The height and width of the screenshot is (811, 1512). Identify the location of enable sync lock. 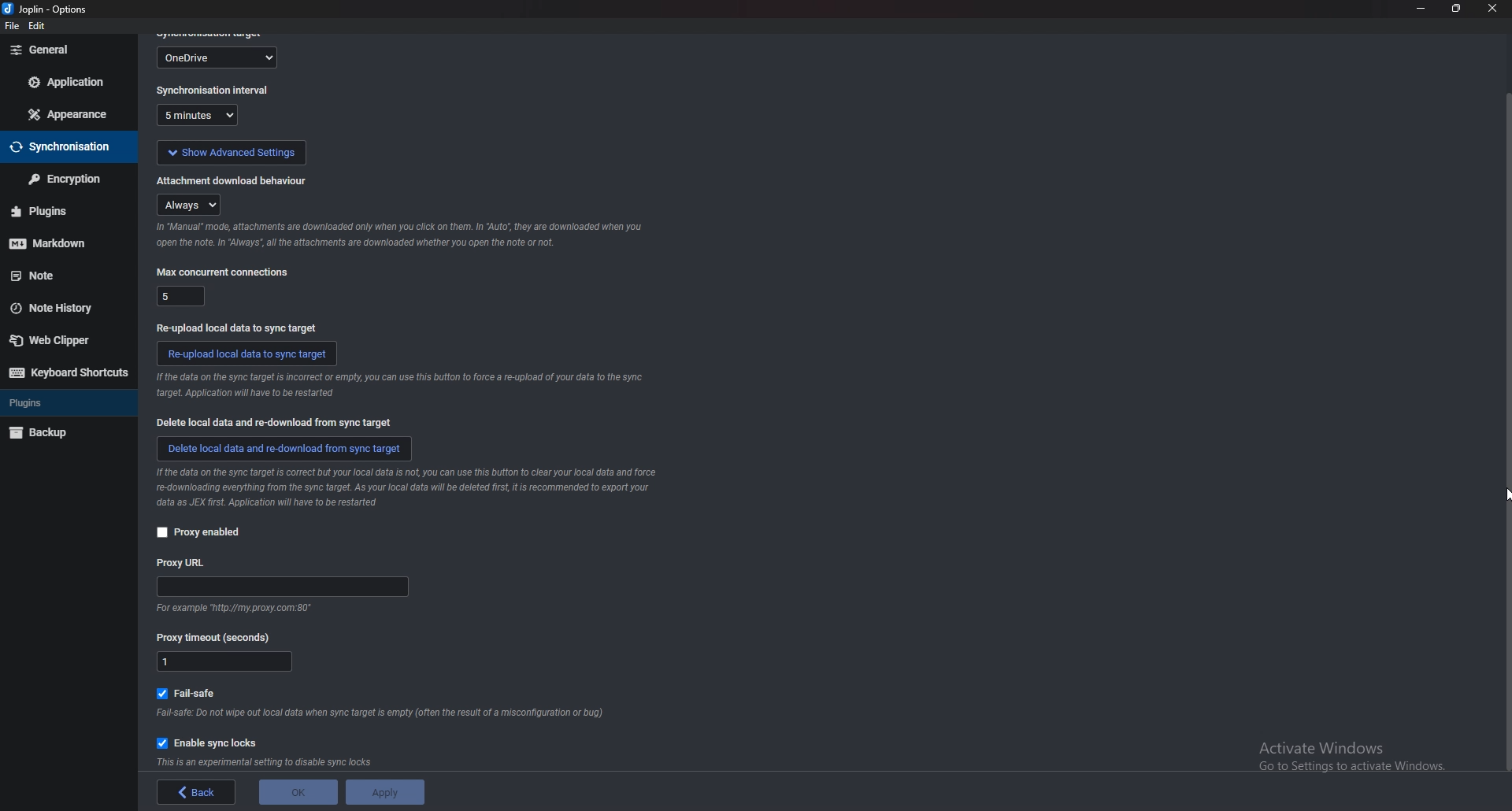
(213, 741).